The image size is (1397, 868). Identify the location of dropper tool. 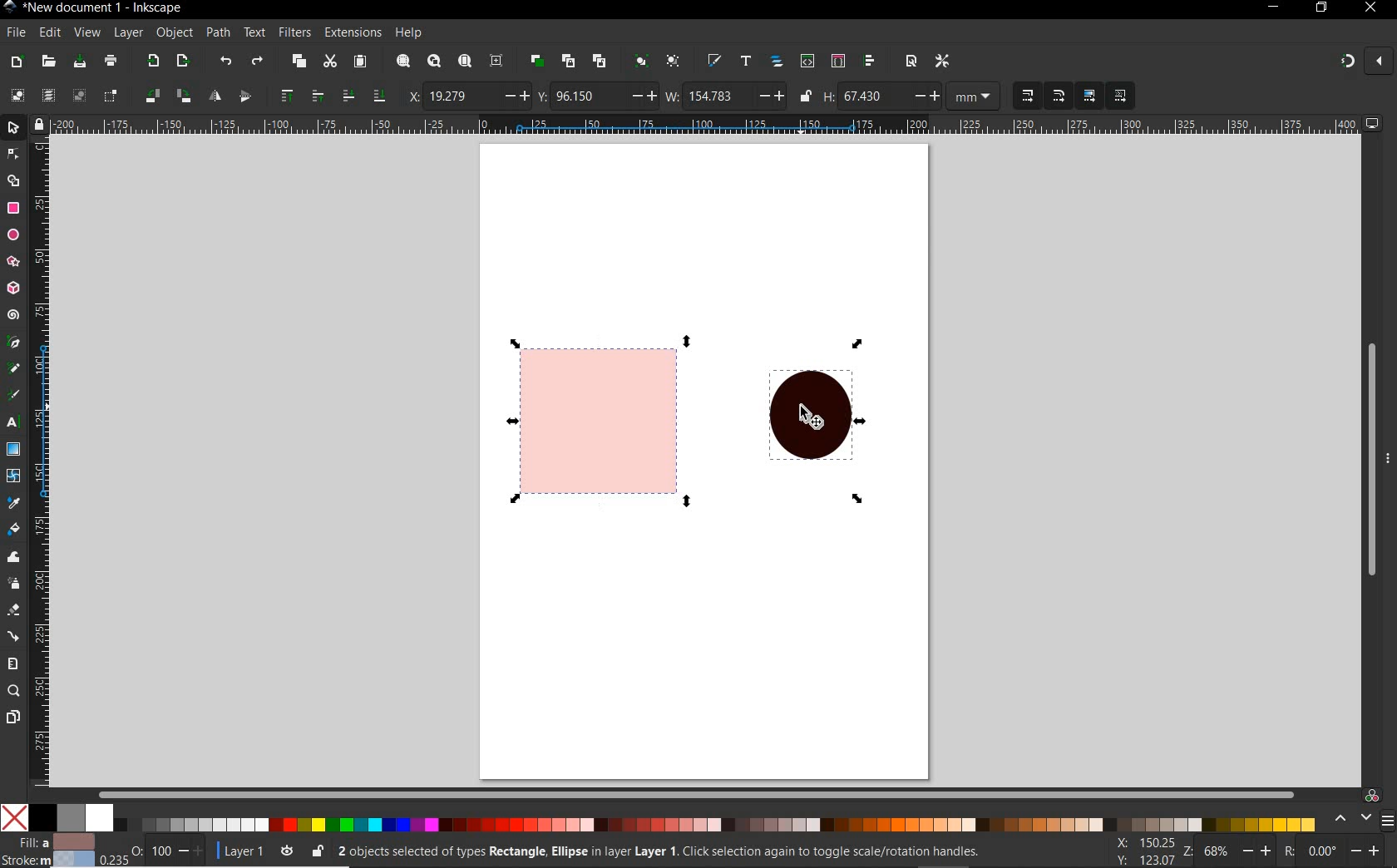
(12, 501).